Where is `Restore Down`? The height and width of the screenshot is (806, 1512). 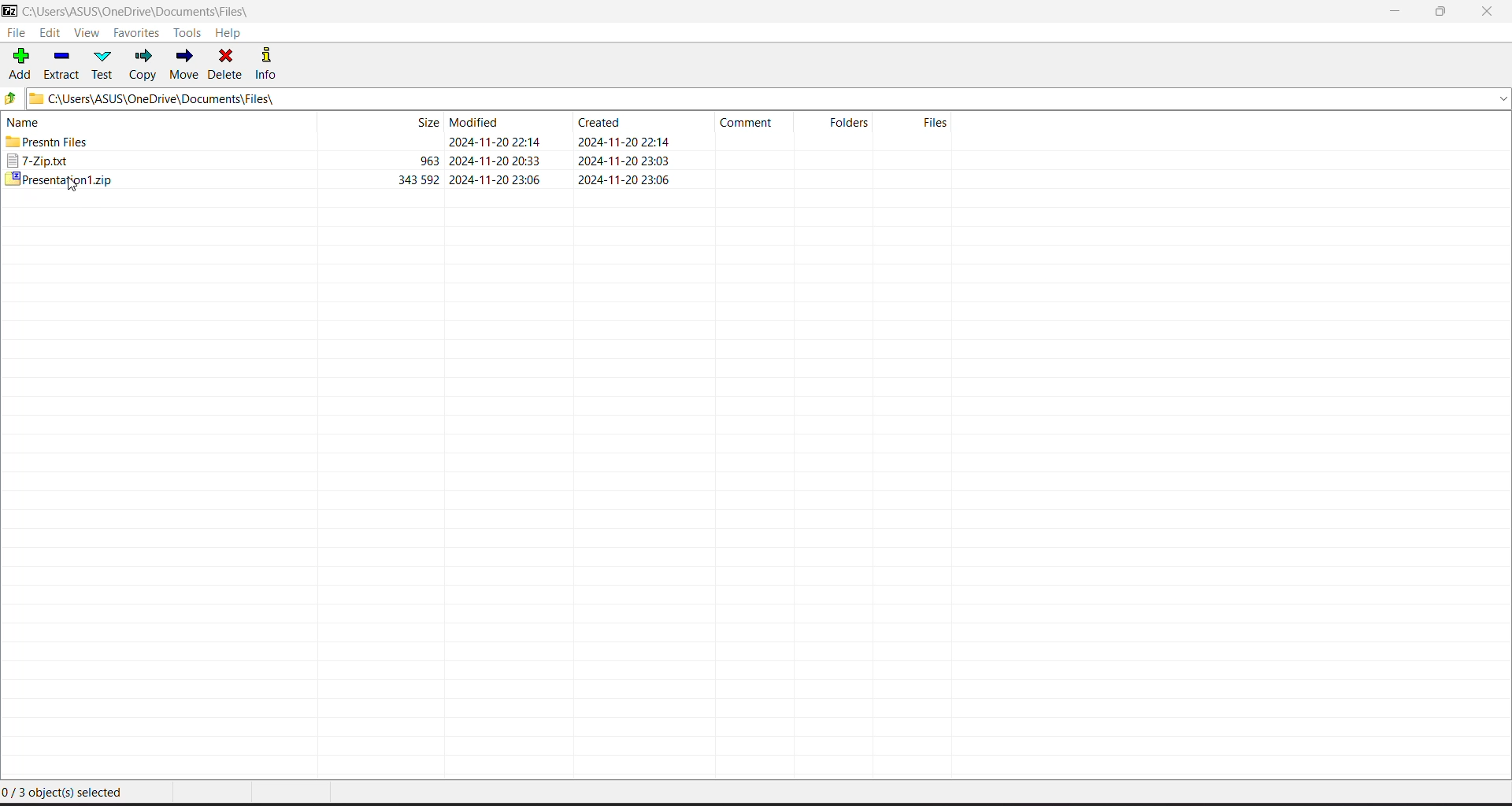 Restore Down is located at coordinates (1442, 12).